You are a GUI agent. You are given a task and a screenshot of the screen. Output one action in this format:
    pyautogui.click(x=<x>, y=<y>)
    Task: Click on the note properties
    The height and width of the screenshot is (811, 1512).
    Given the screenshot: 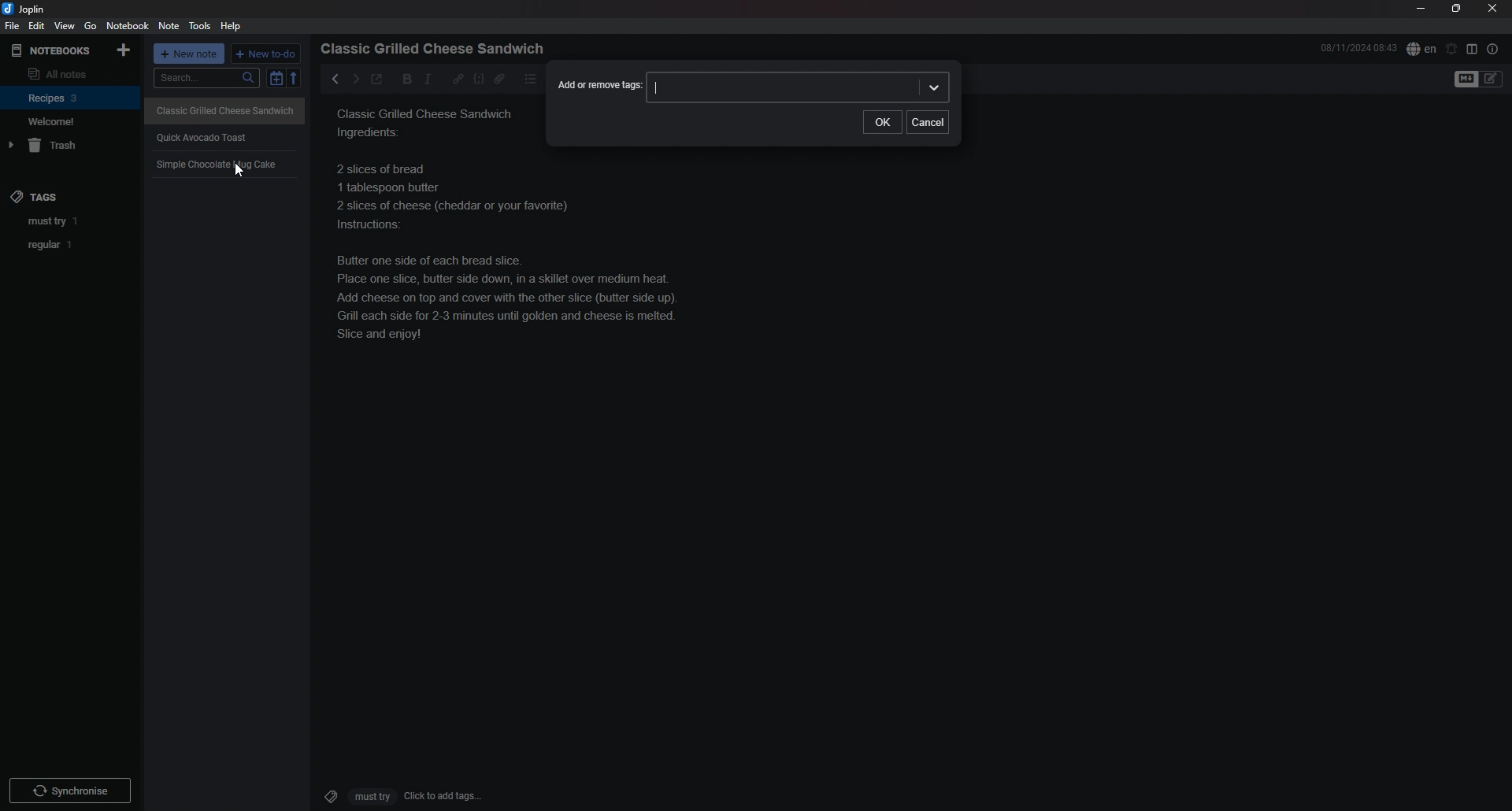 What is the action you would take?
    pyautogui.click(x=1493, y=49)
    